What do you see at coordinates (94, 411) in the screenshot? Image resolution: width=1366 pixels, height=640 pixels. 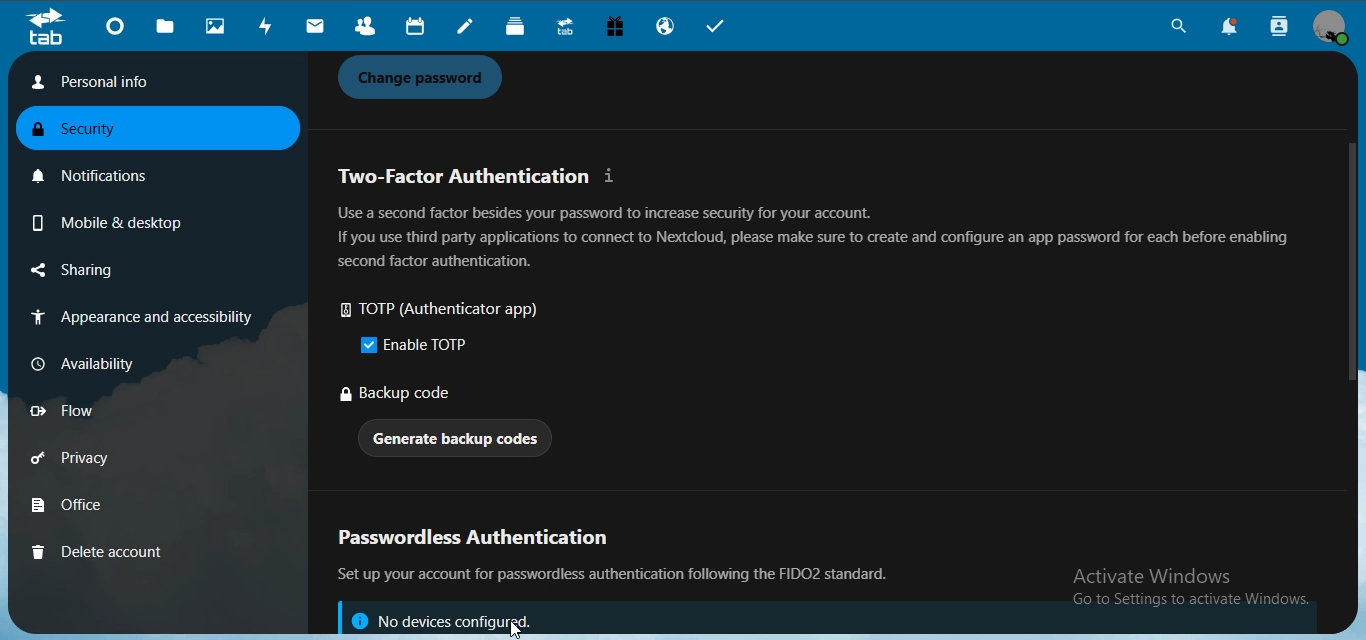 I see `flow` at bounding box center [94, 411].